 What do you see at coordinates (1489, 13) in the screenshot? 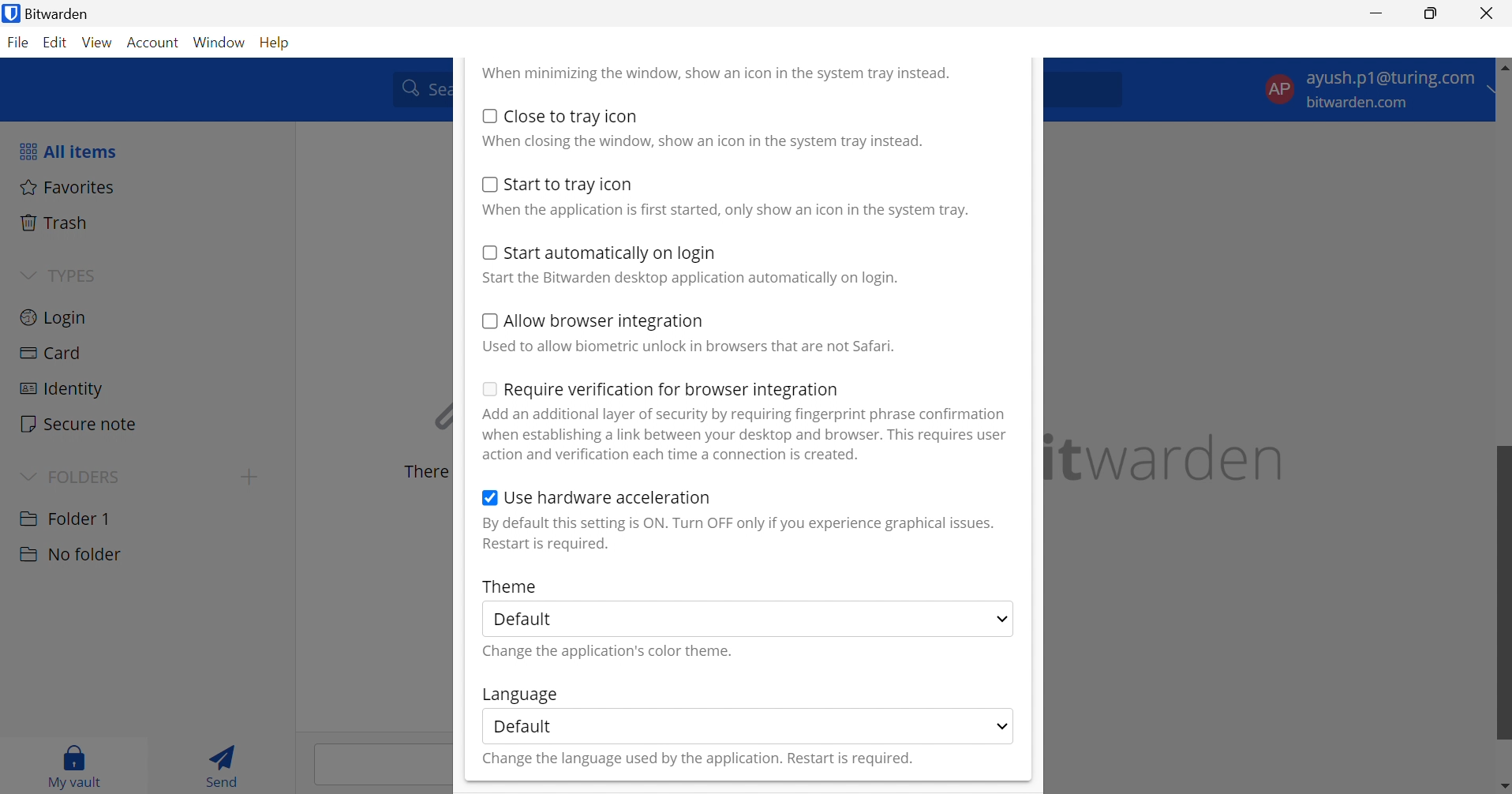
I see `Close` at bounding box center [1489, 13].